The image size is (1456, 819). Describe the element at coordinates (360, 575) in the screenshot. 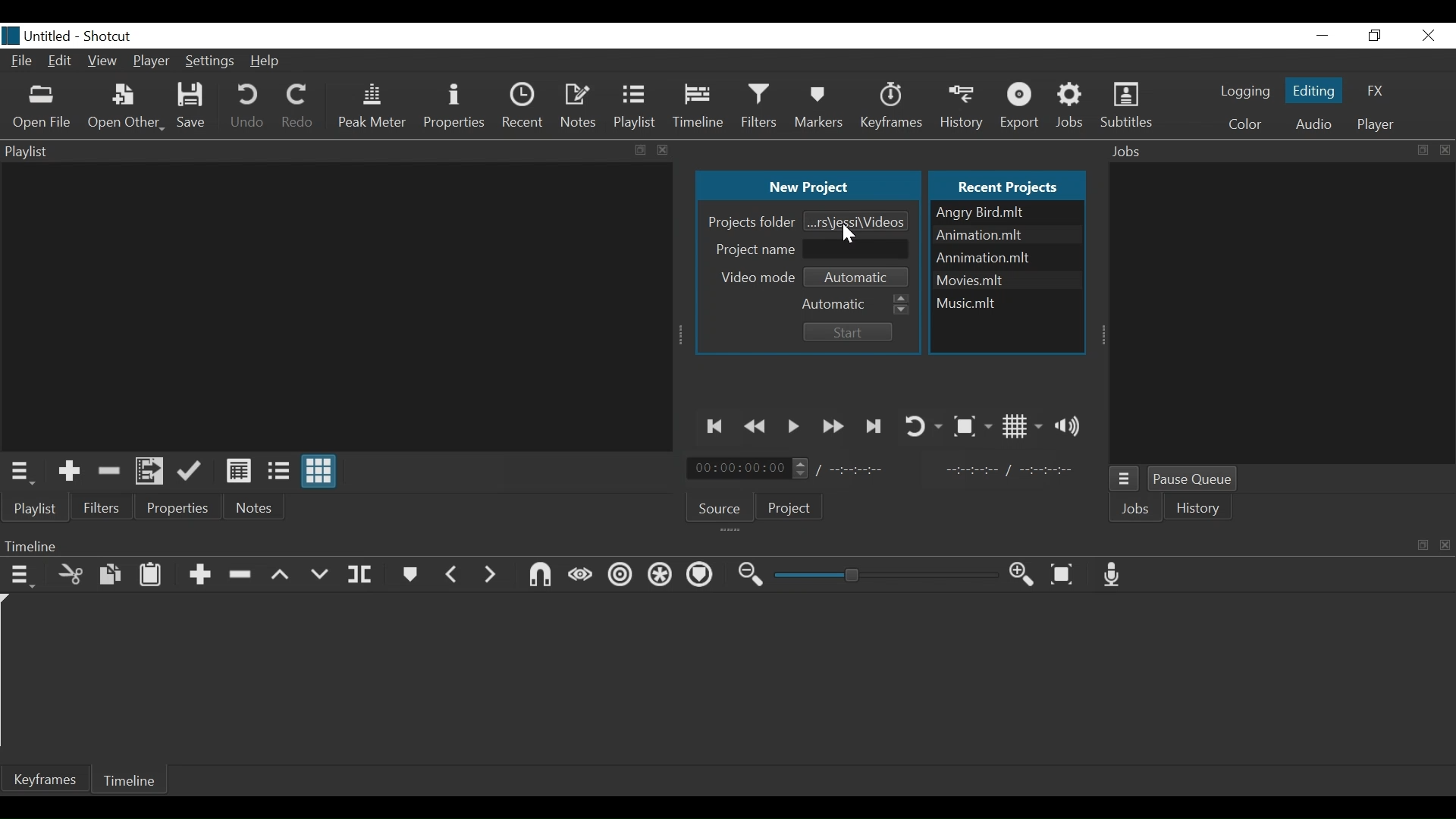

I see `Split at playhead` at that location.